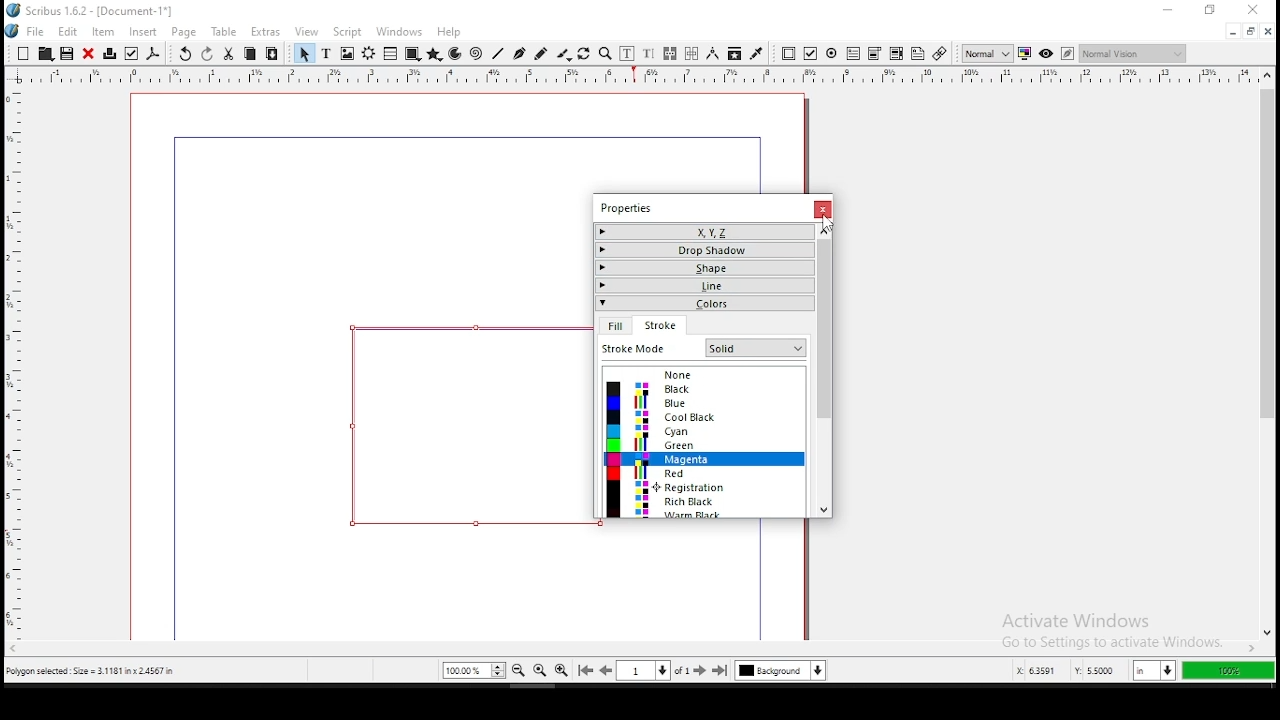  I want to click on zoom out, so click(519, 670).